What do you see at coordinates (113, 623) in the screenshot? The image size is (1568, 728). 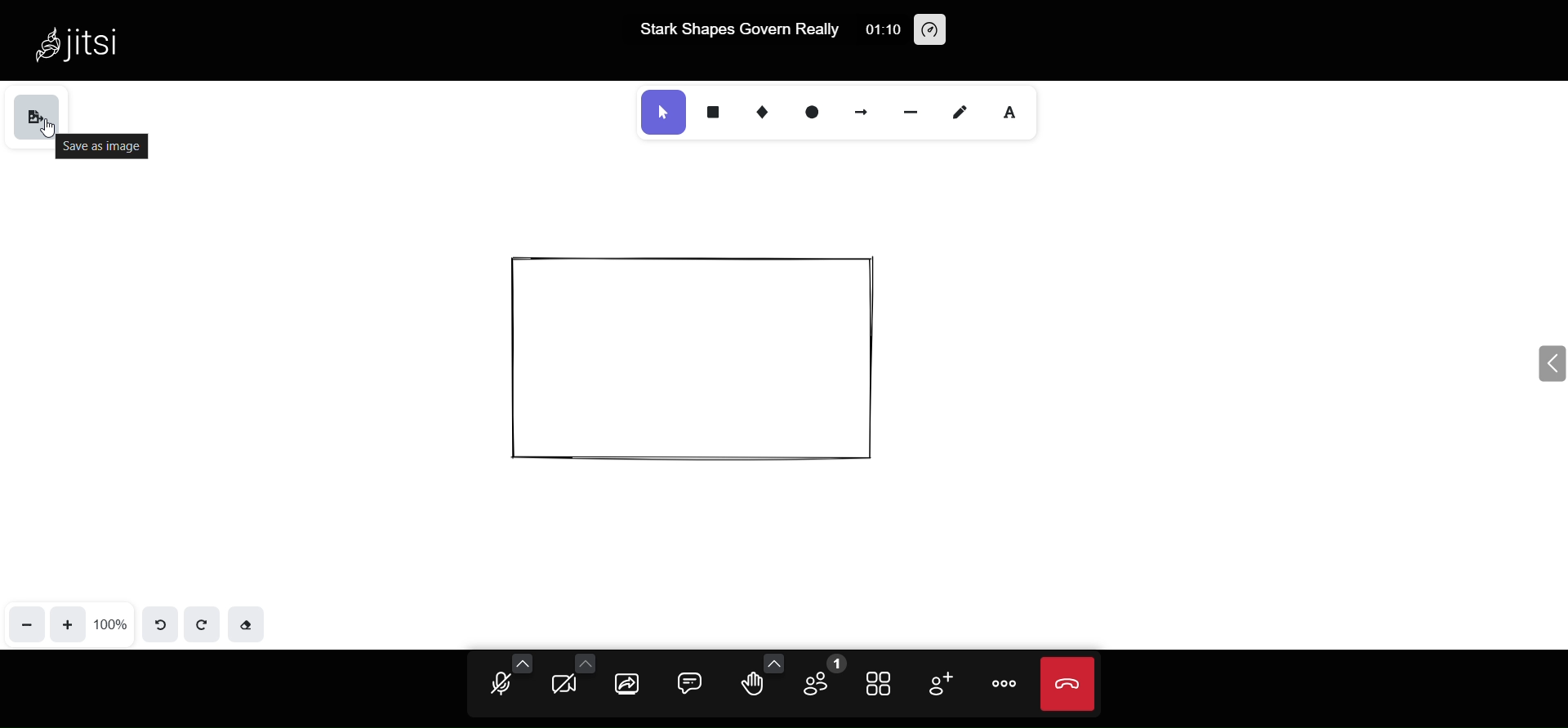 I see `zoom percentage` at bounding box center [113, 623].